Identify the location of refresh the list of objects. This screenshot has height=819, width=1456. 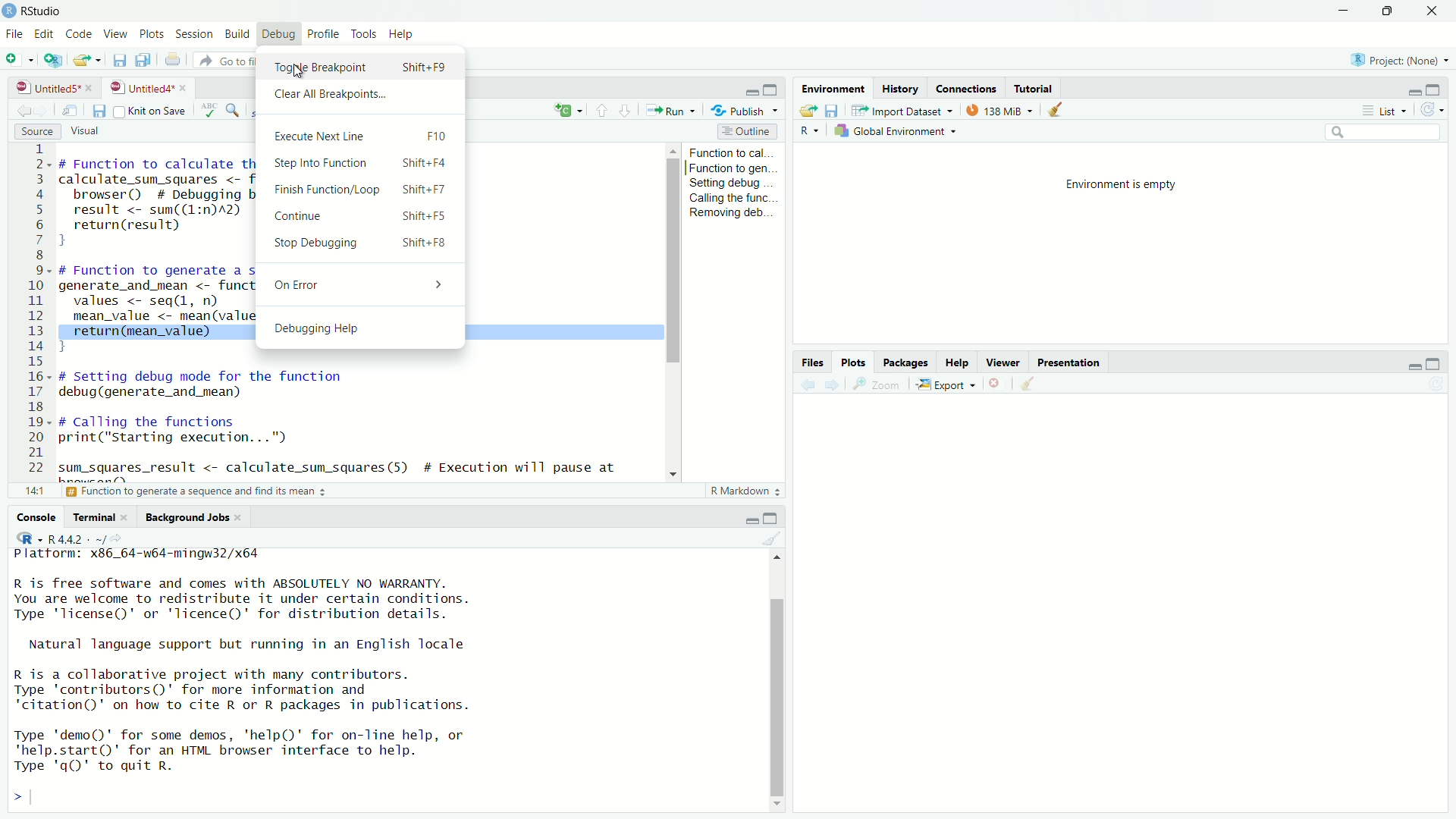
(1437, 110).